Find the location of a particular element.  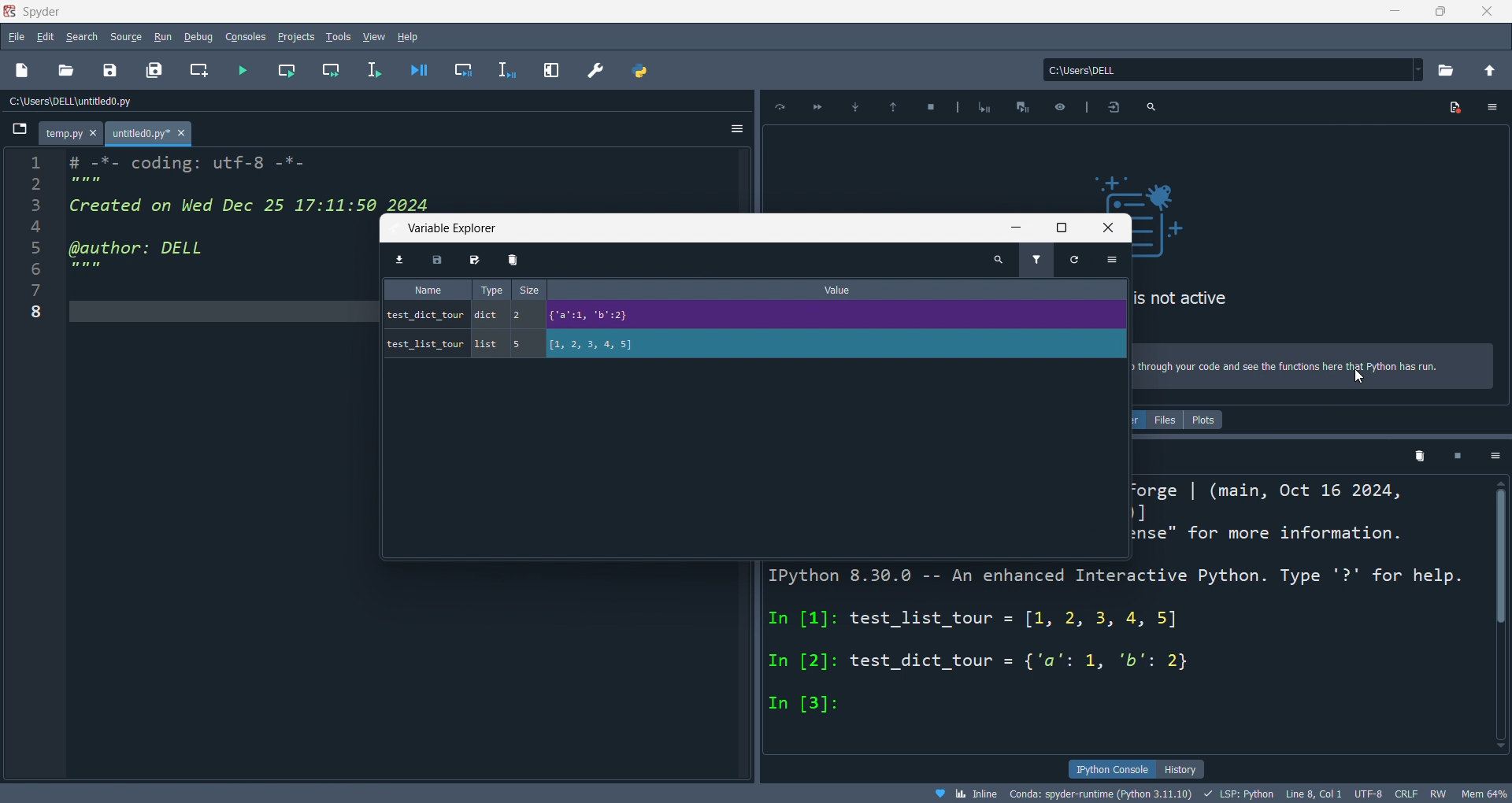

project is located at coordinates (299, 36).